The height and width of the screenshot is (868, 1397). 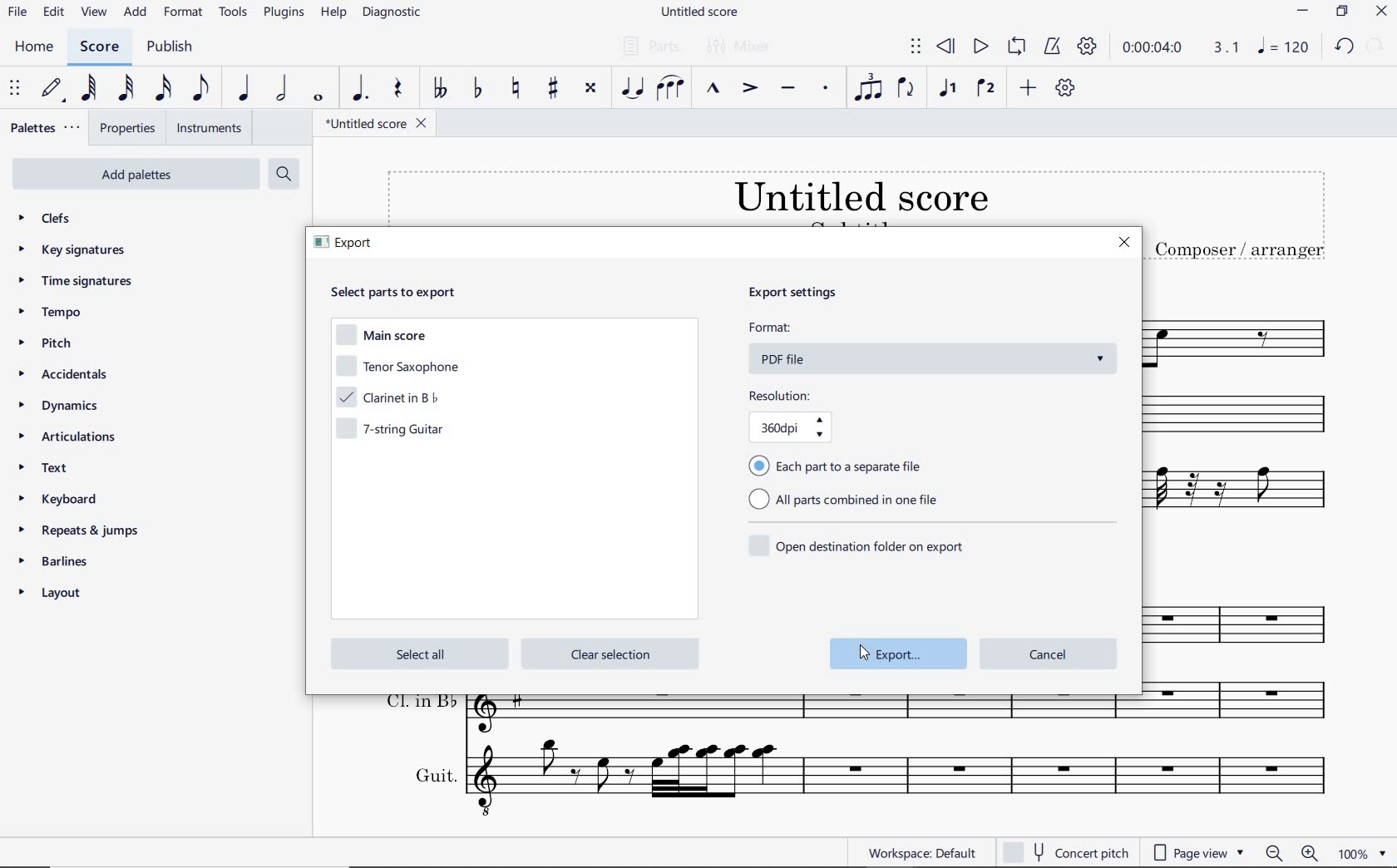 What do you see at coordinates (54, 12) in the screenshot?
I see `EDIT` at bounding box center [54, 12].